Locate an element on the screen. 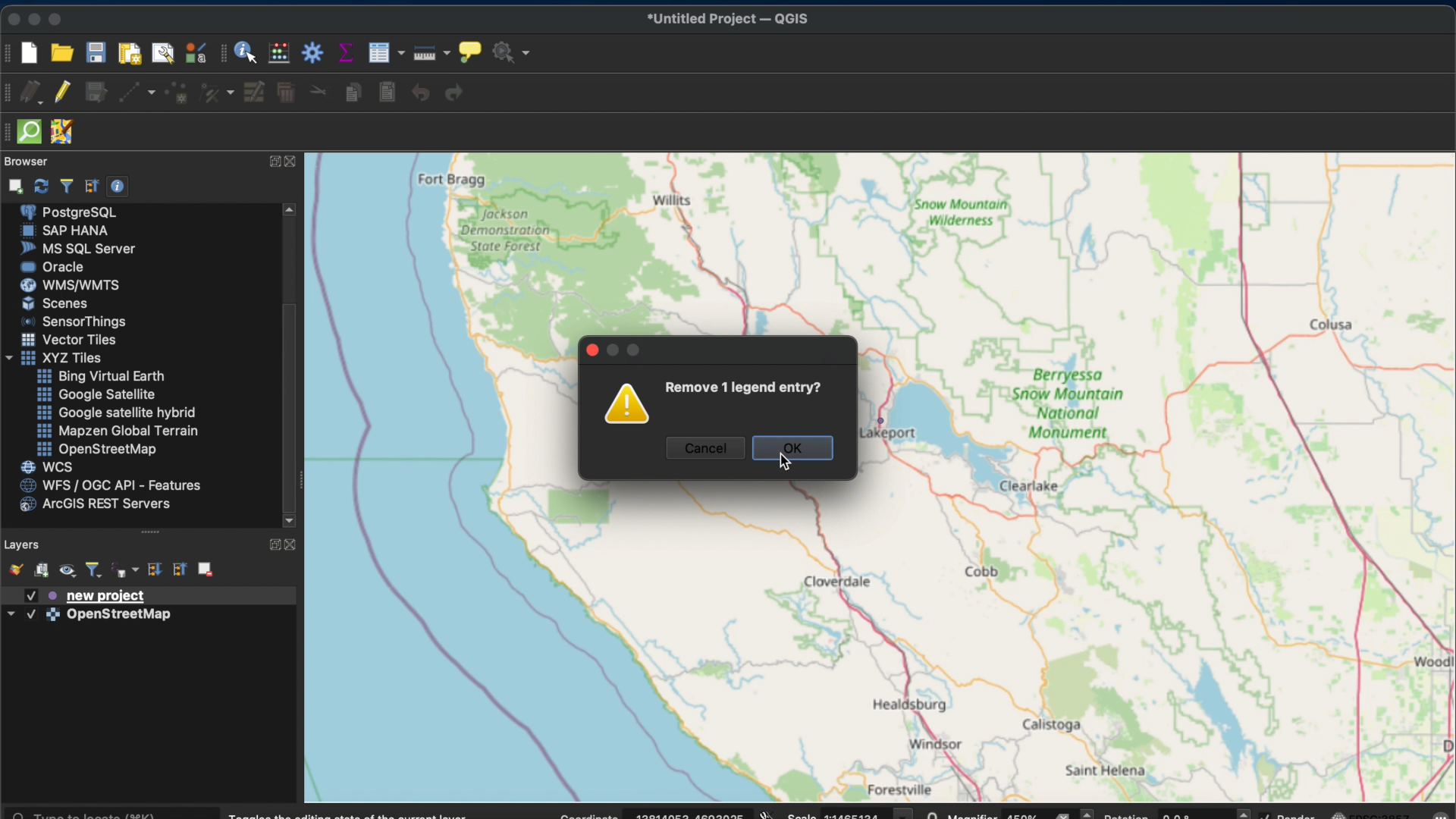 Image resolution: width=1456 pixels, height=819 pixels. MS sql server is located at coordinates (77, 248).